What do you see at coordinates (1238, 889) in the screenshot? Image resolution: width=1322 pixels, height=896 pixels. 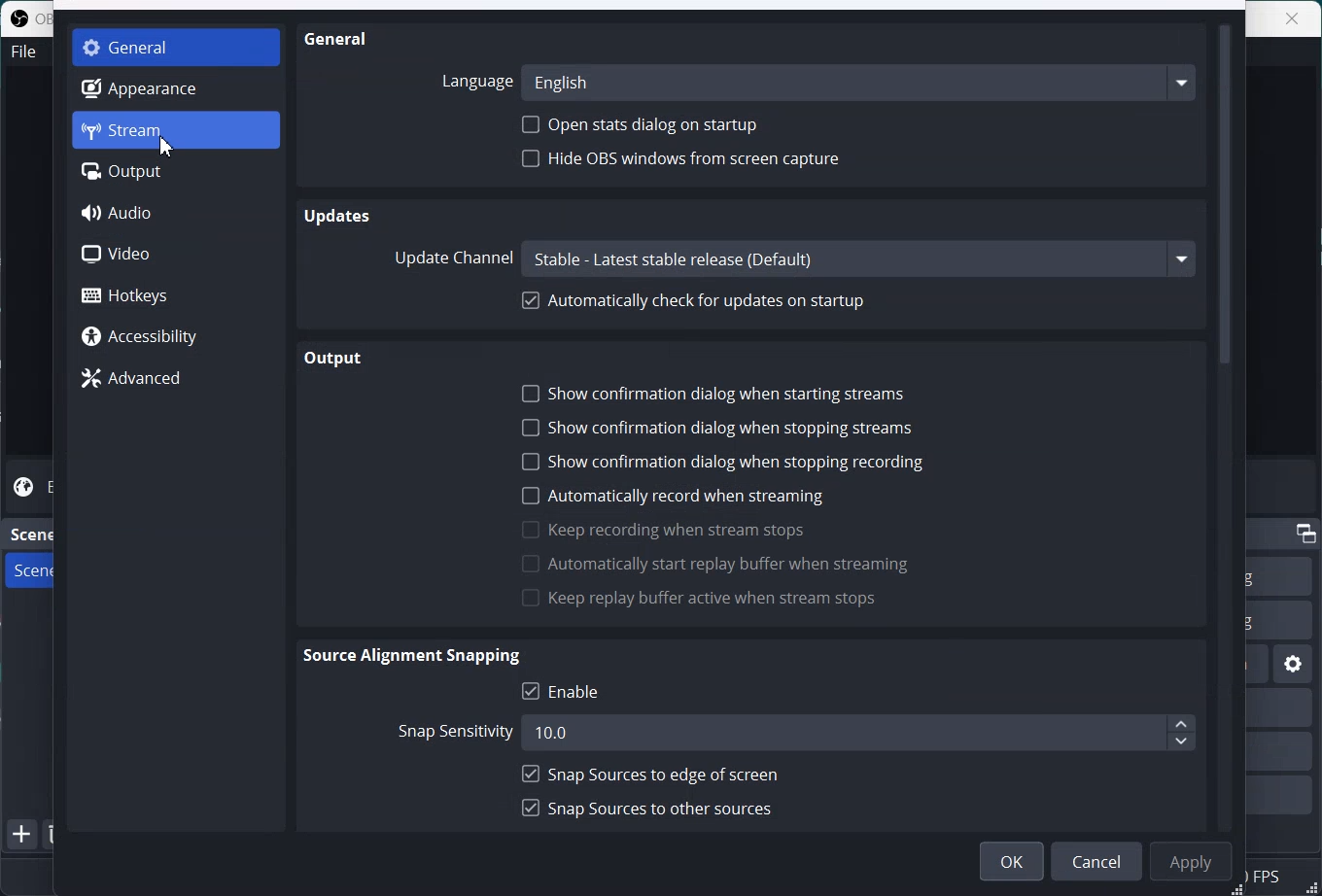 I see `Window adjuster` at bounding box center [1238, 889].